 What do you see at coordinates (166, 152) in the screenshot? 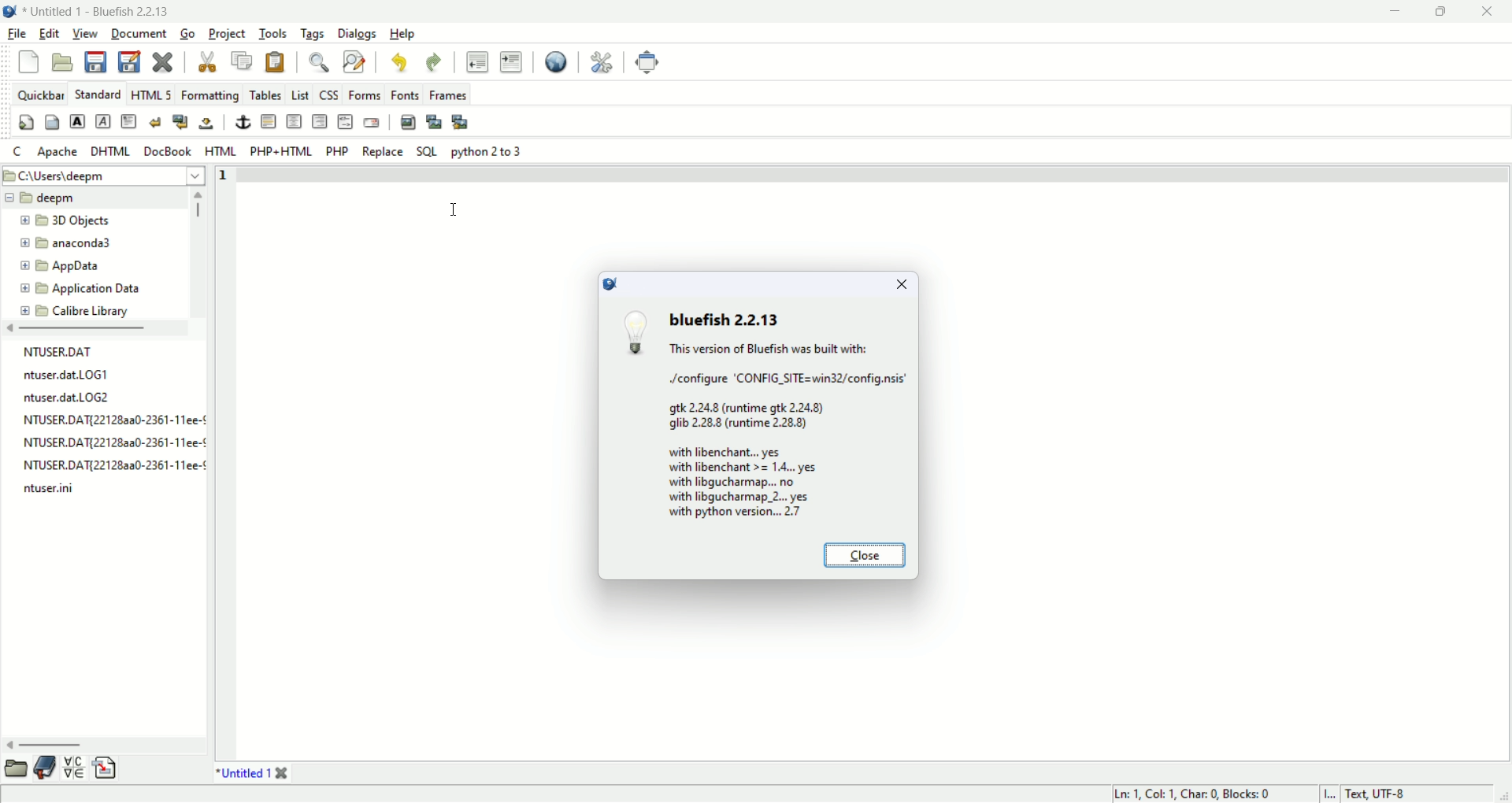
I see `DocBook` at bounding box center [166, 152].